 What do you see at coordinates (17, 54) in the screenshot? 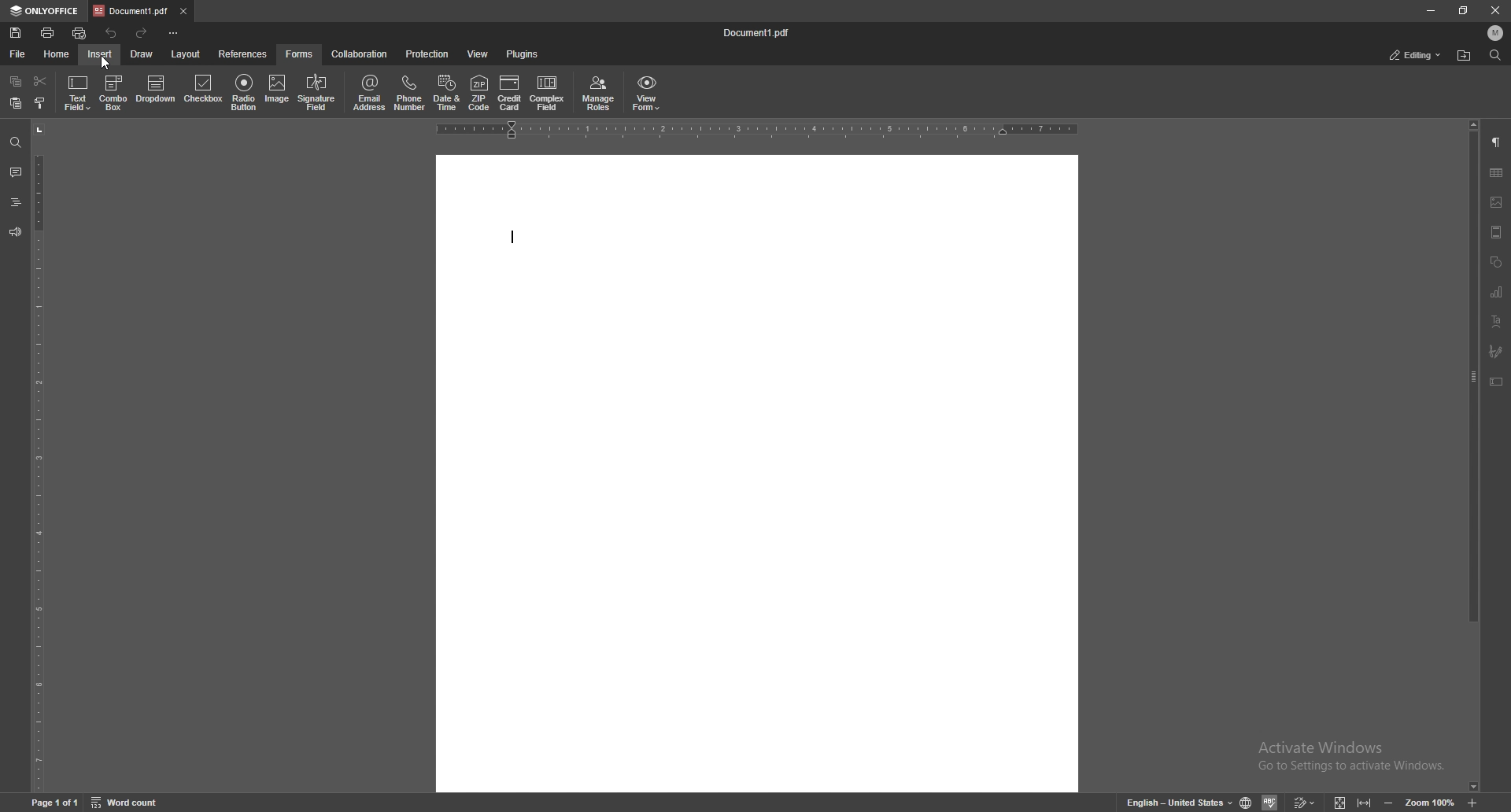
I see `file` at bounding box center [17, 54].